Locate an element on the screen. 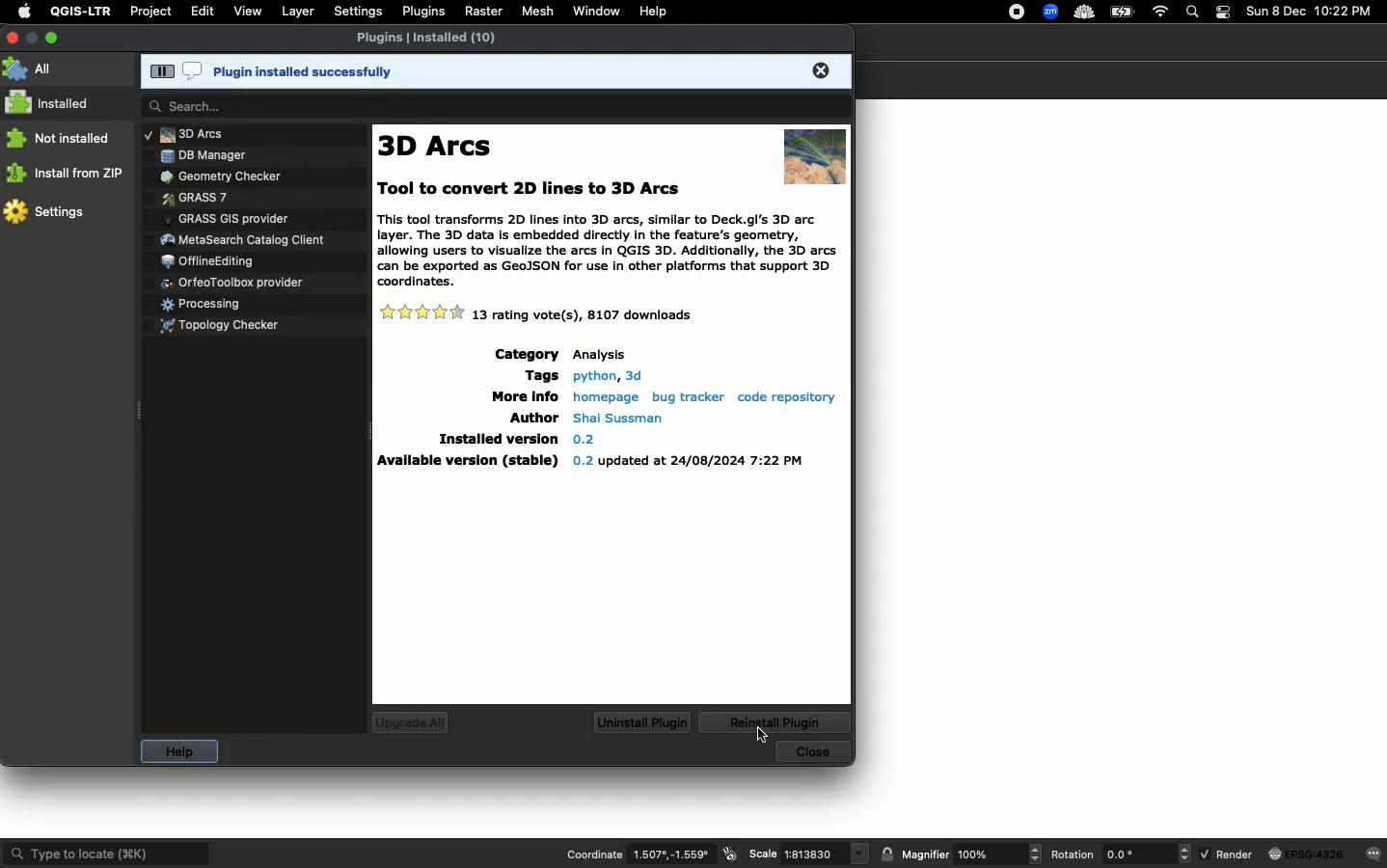 Image resolution: width=1387 pixels, height=868 pixels. analysis is located at coordinates (602, 354).